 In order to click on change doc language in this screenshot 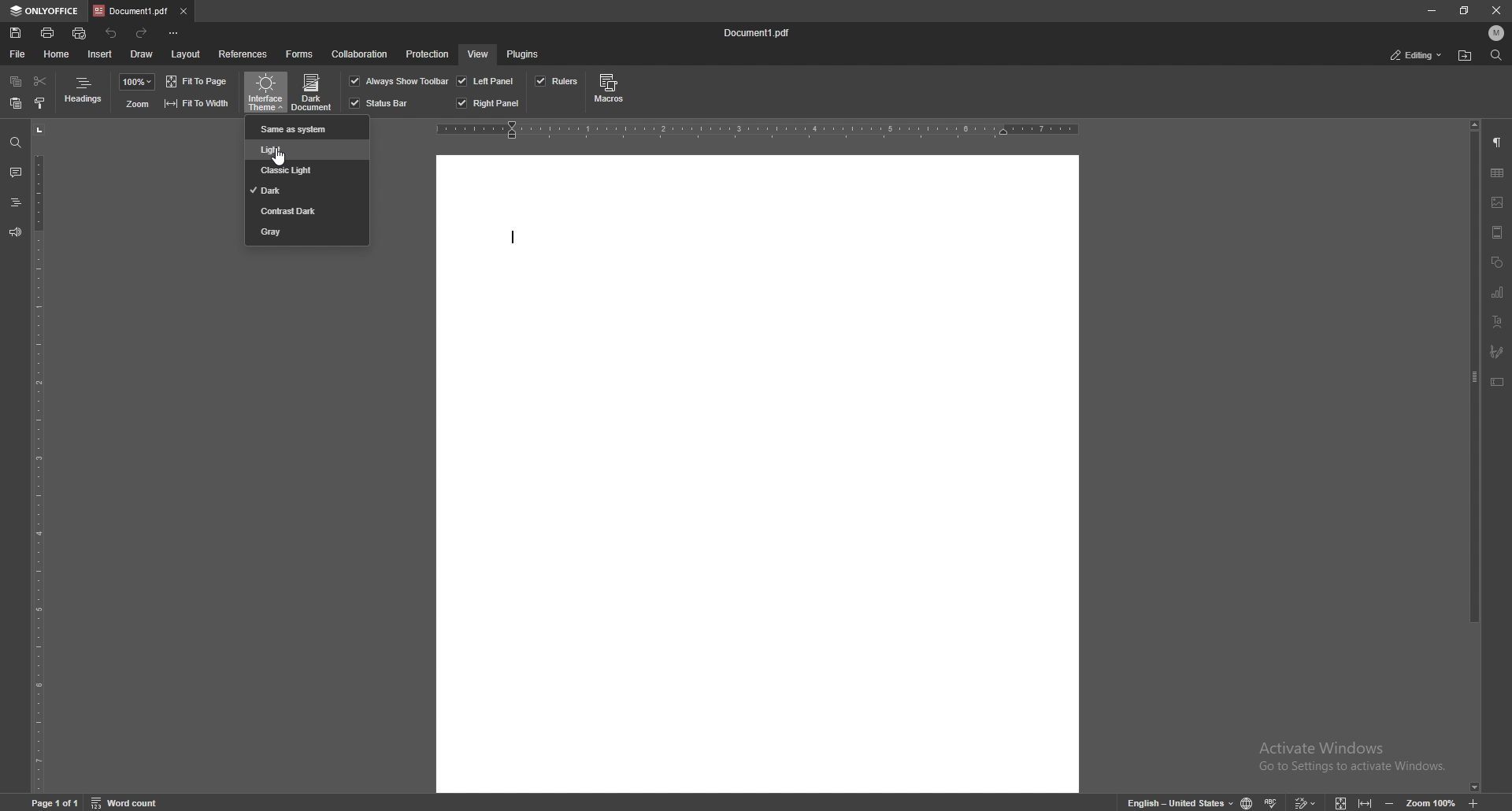, I will do `click(1248, 802)`.